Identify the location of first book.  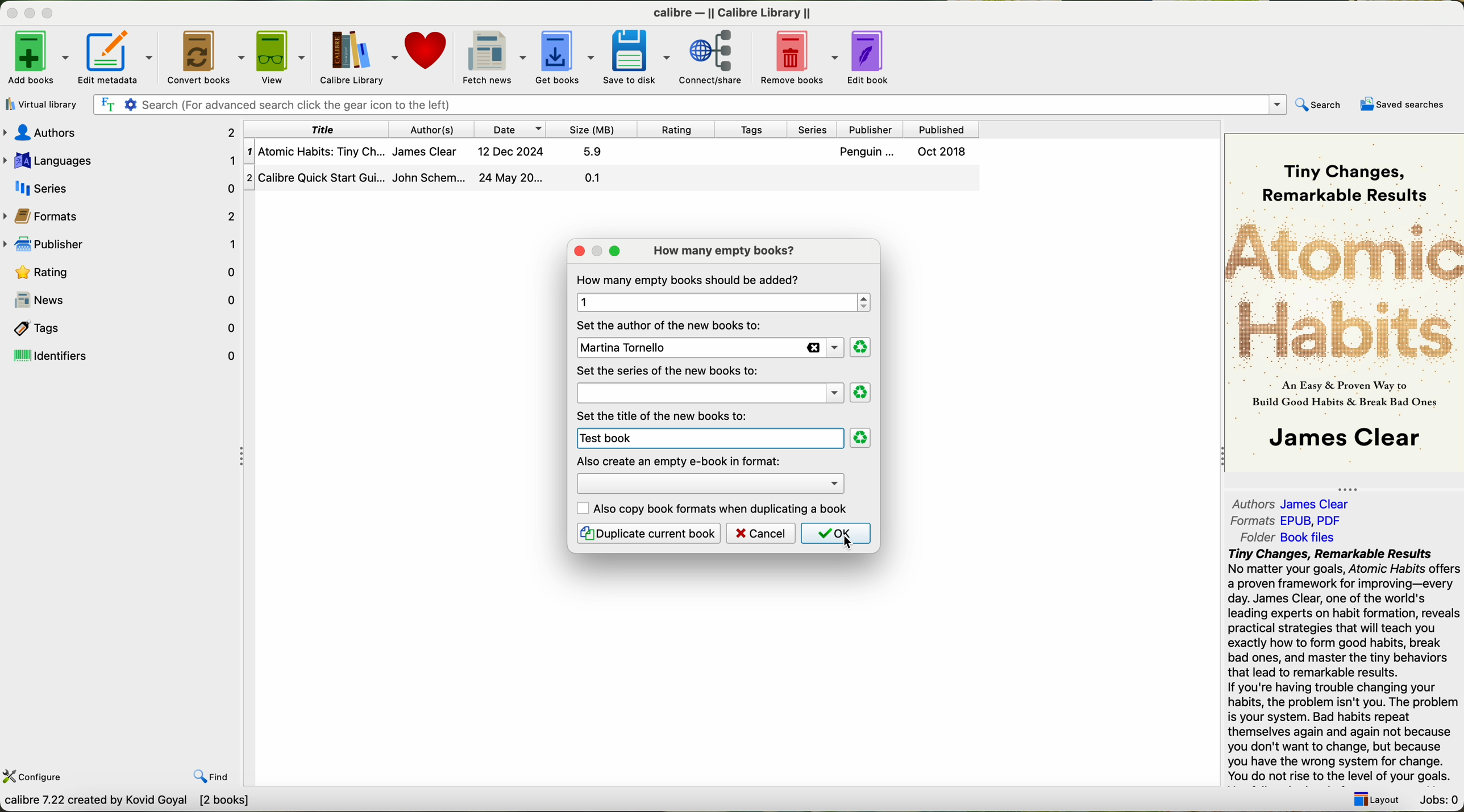
(614, 154).